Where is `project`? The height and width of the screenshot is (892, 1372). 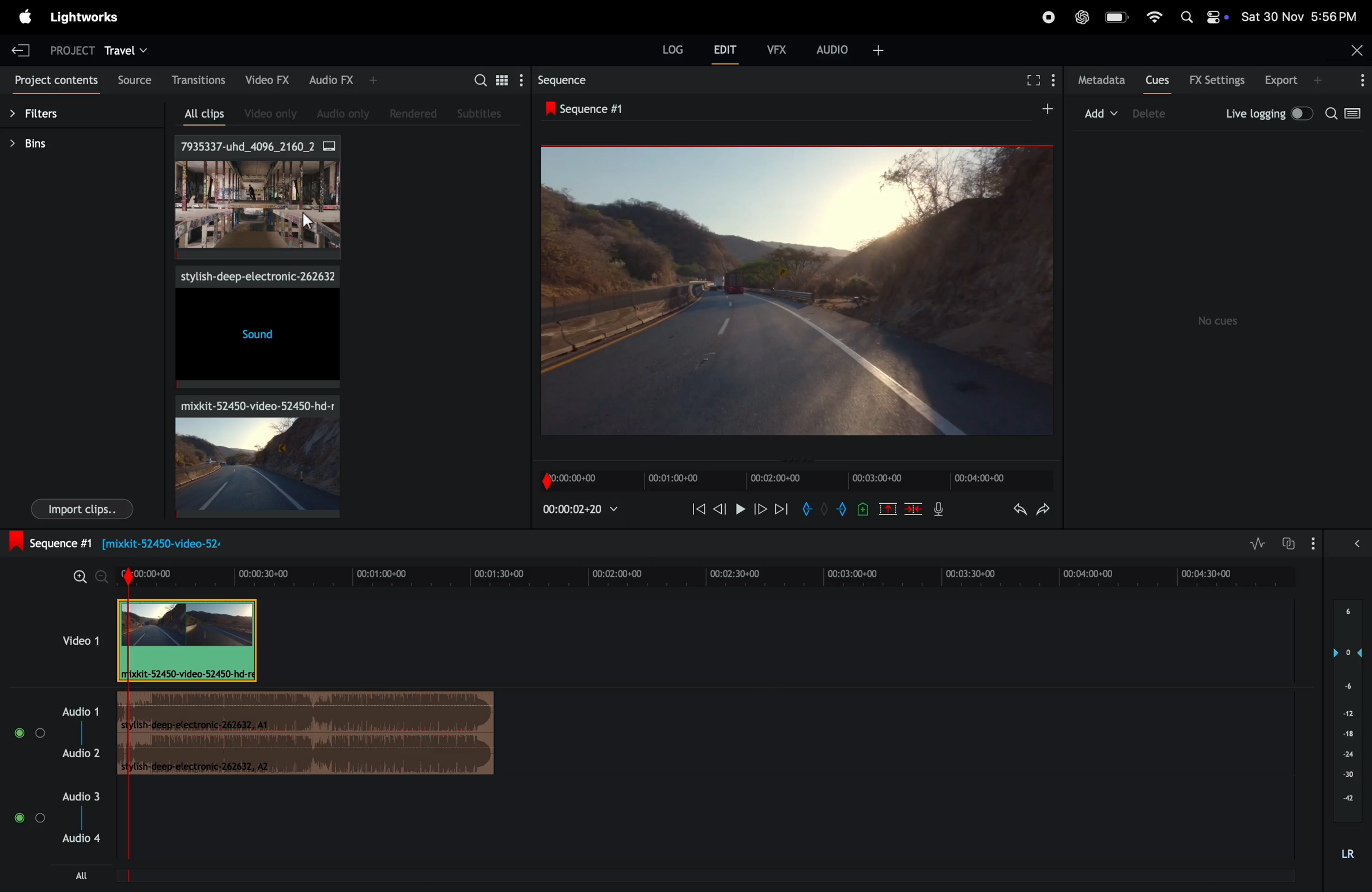
project is located at coordinates (66, 48).